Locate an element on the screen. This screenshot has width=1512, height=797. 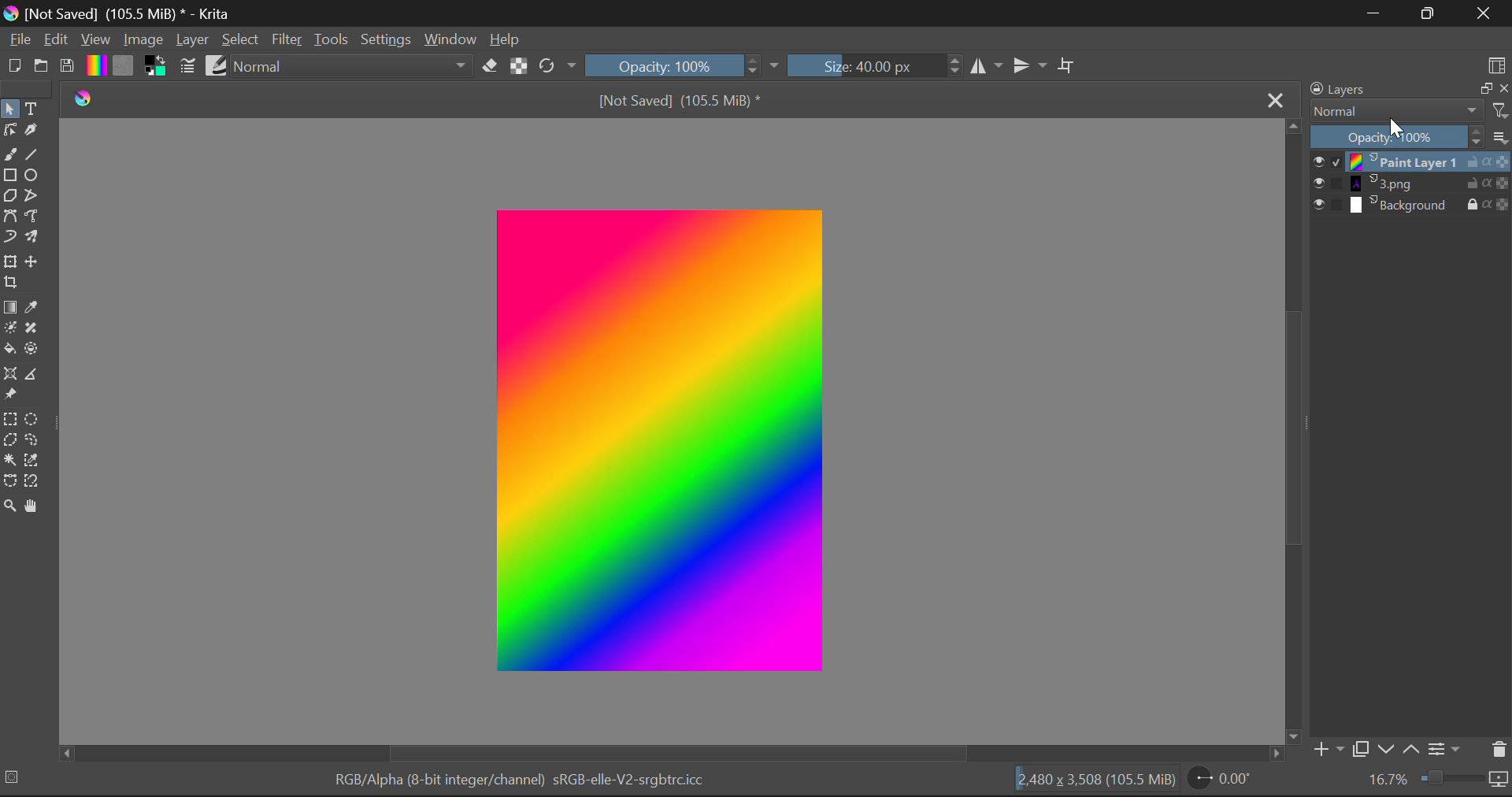
Edit is located at coordinates (57, 40).